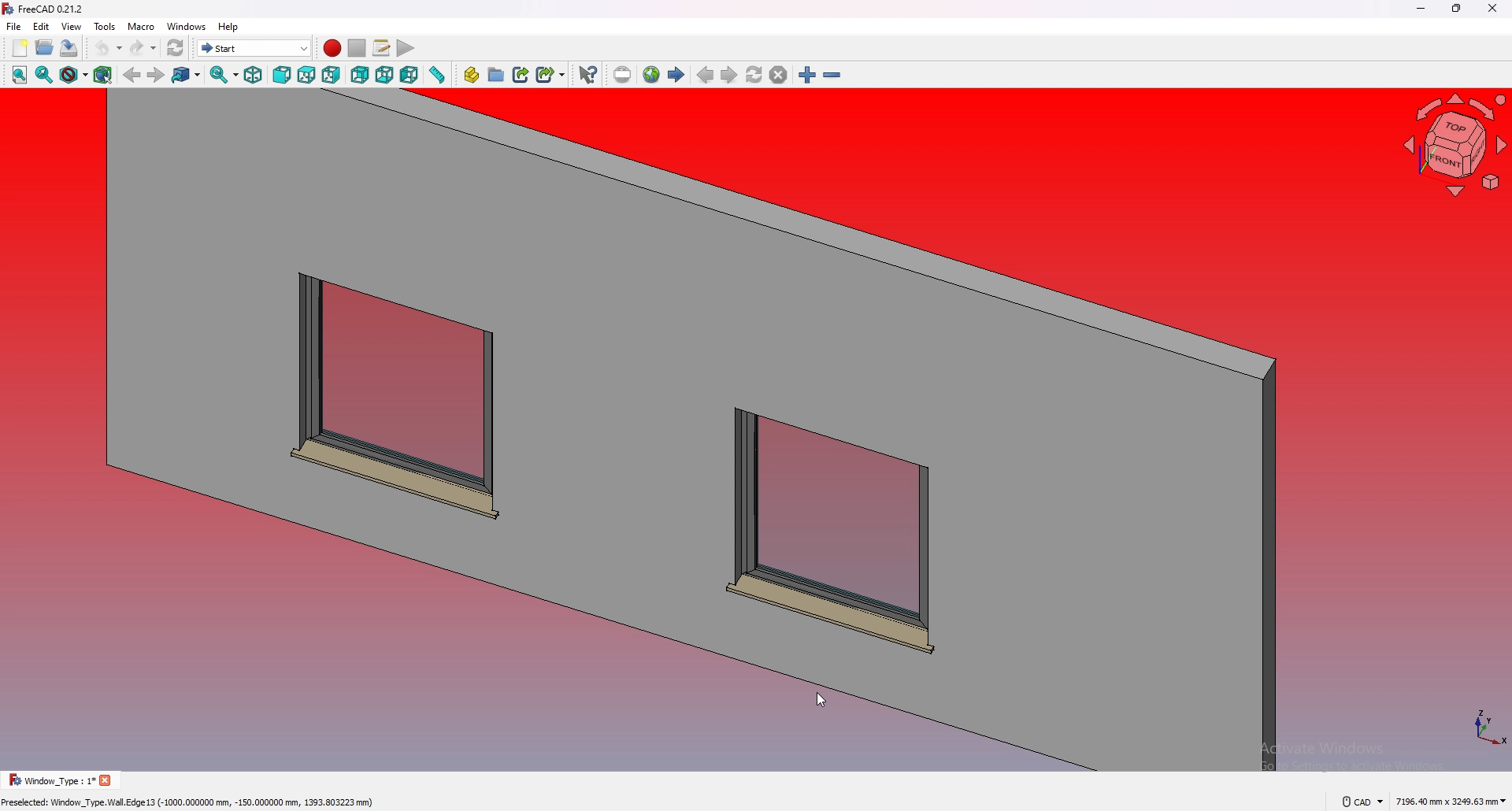 This screenshot has width=1512, height=811. I want to click on new background color, so click(653, 433).